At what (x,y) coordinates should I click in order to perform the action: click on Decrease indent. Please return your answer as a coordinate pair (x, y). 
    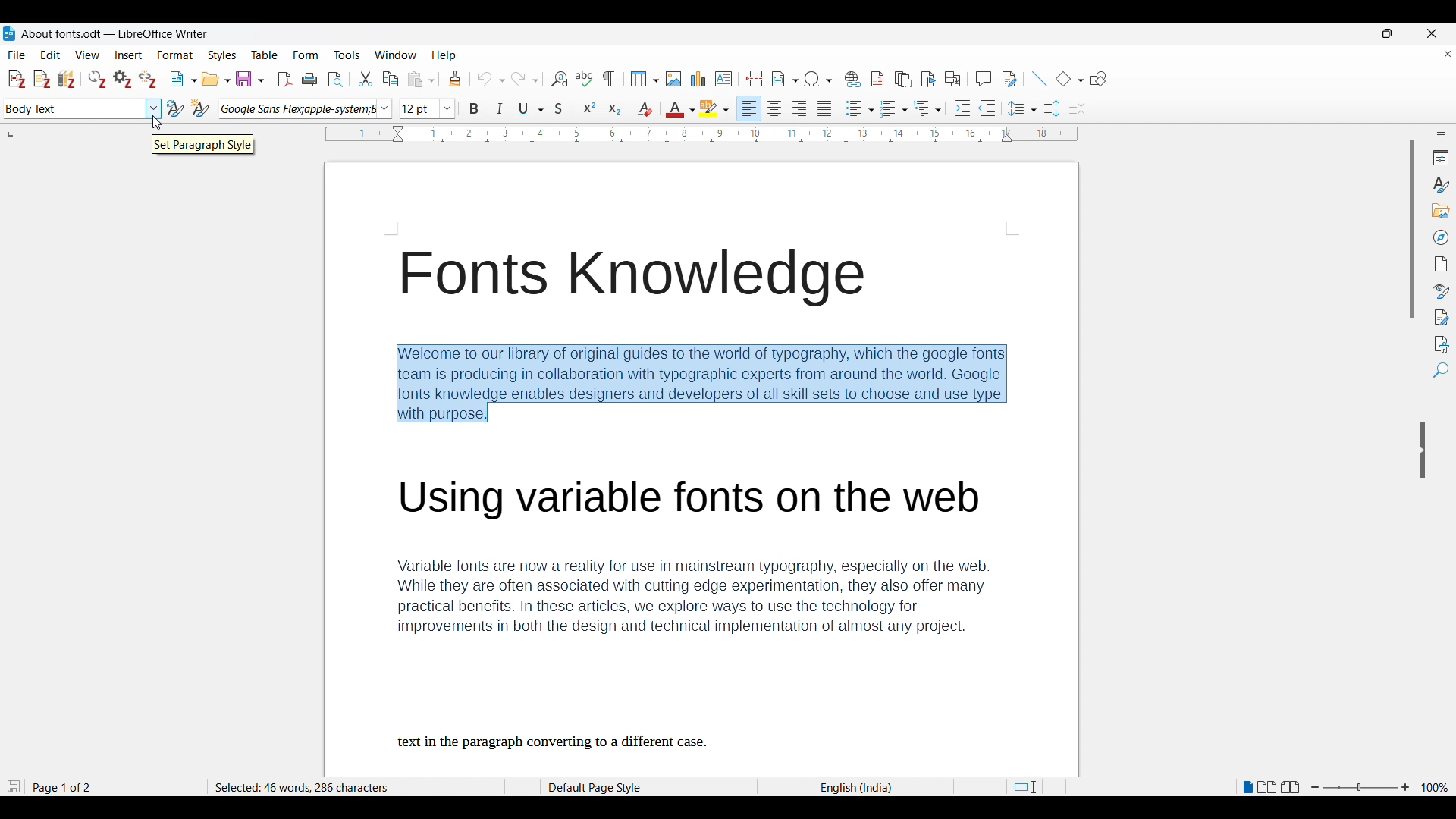
    Looking at the image, I should click on (987, 108).